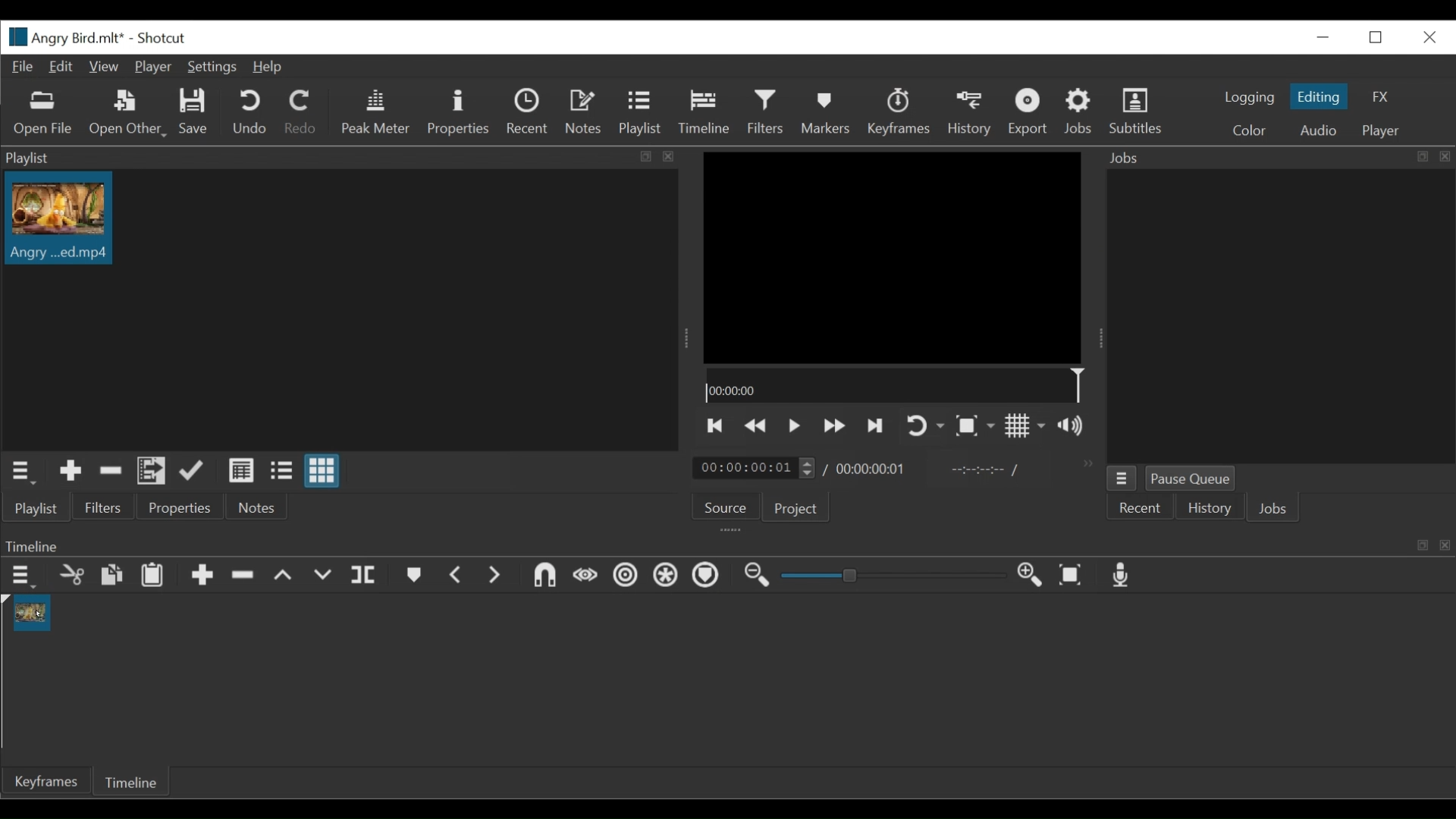 This screenshot has width=1456, height=819. What do you see at coordinates (709, 578) in the screenshot?
I see `Ripple Markers` at bounding box center [709, 578].